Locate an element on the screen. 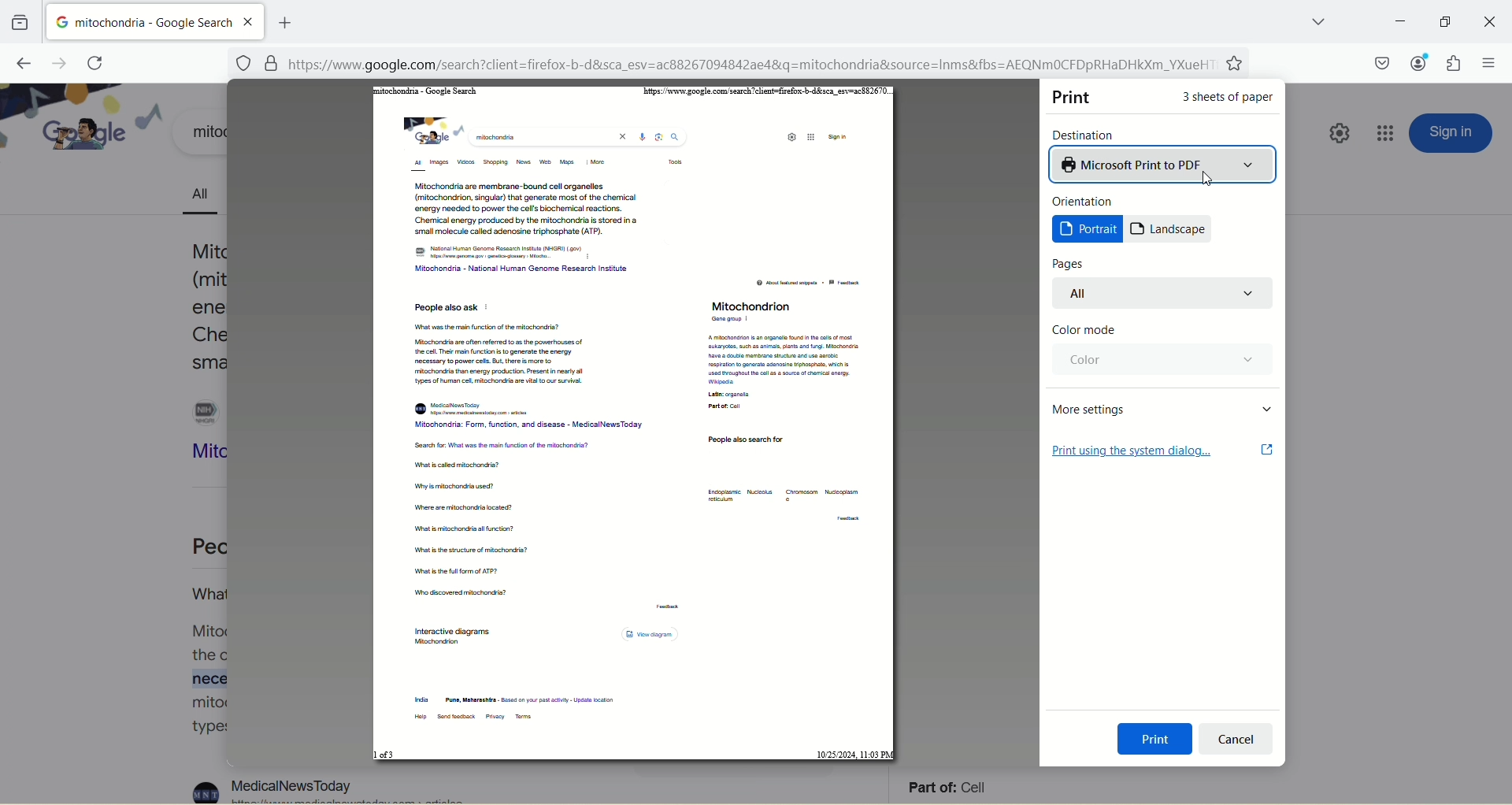  more settings is located at coordinates (1165, 408).